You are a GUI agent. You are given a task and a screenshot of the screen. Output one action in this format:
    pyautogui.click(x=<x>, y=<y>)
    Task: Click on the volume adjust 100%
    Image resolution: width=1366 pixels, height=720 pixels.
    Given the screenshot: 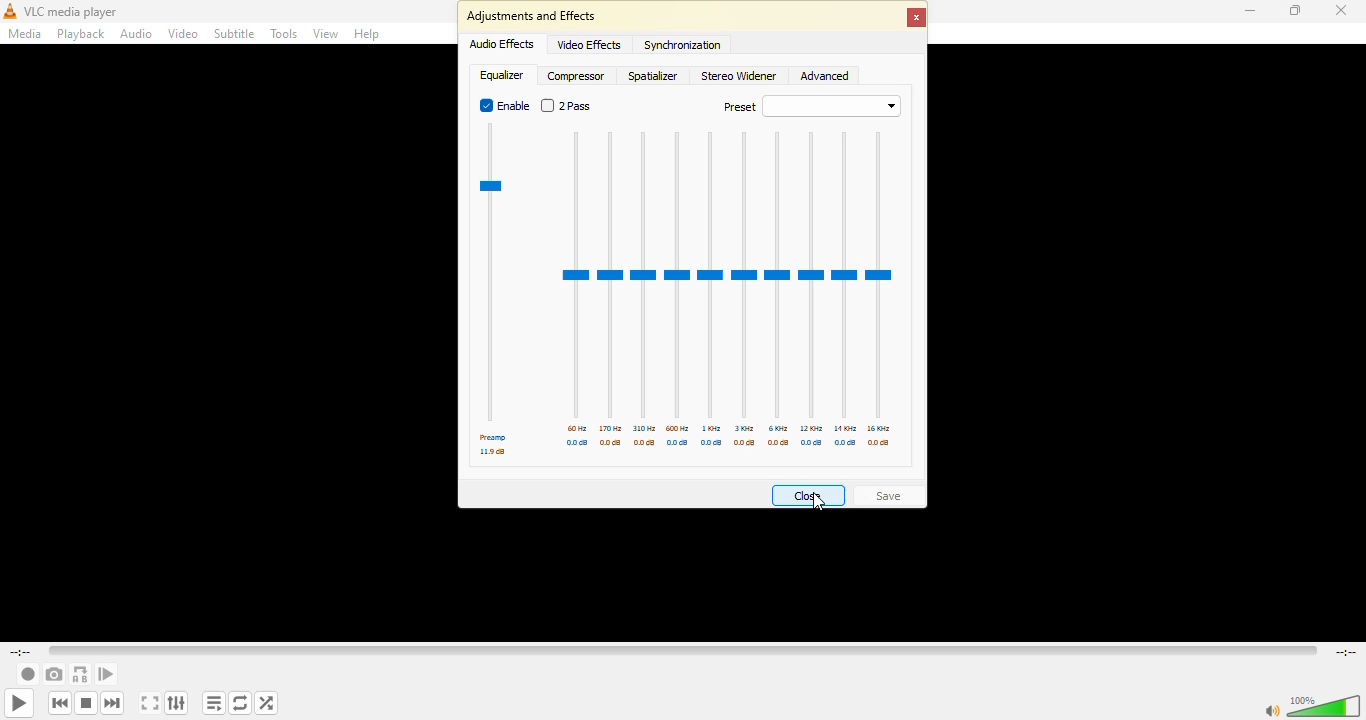 What is the action you would take?
    pyautogui.click(x=1327, y=706)
    